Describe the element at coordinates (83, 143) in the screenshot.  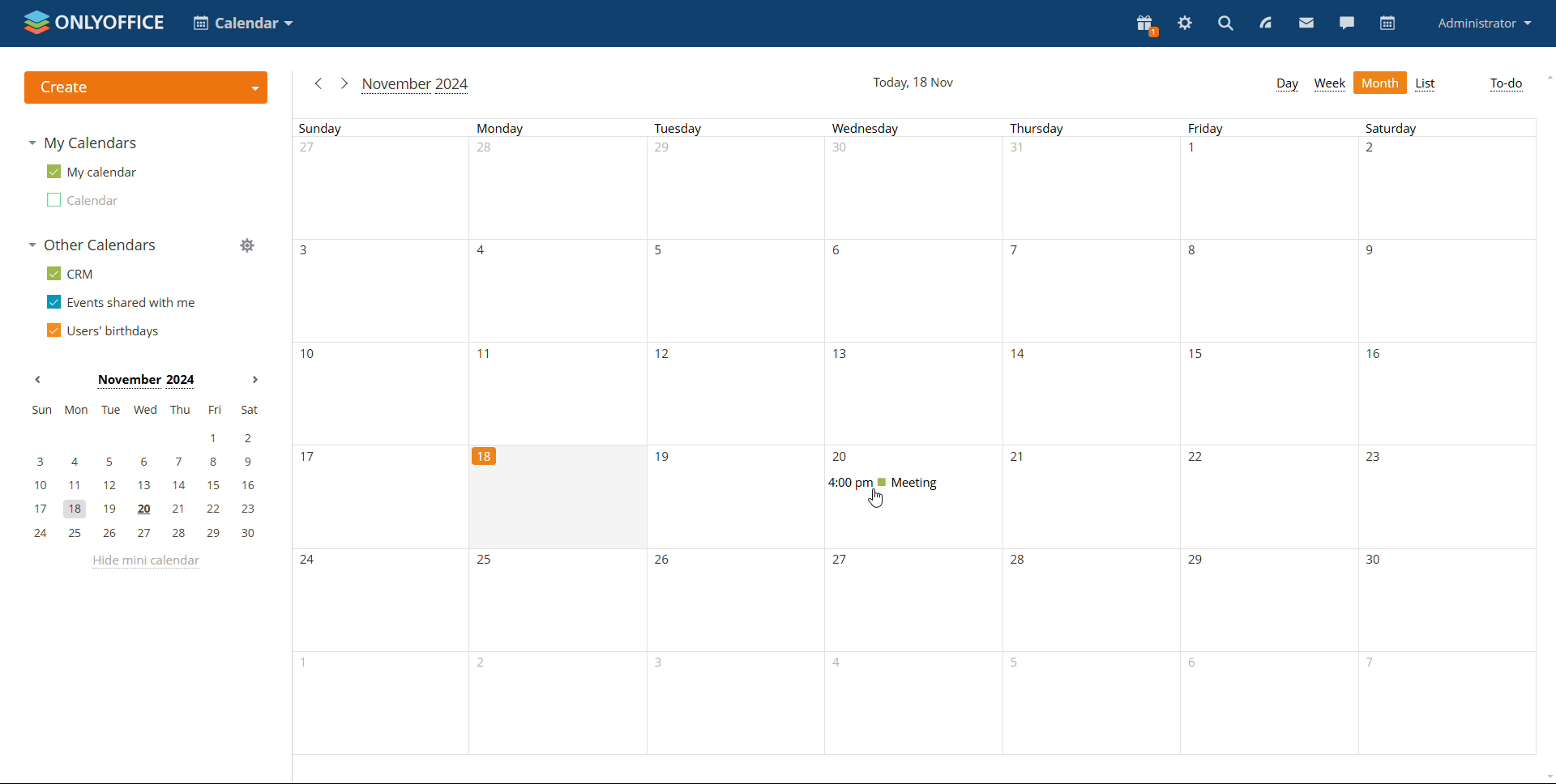
I see `my calendars` at that location.